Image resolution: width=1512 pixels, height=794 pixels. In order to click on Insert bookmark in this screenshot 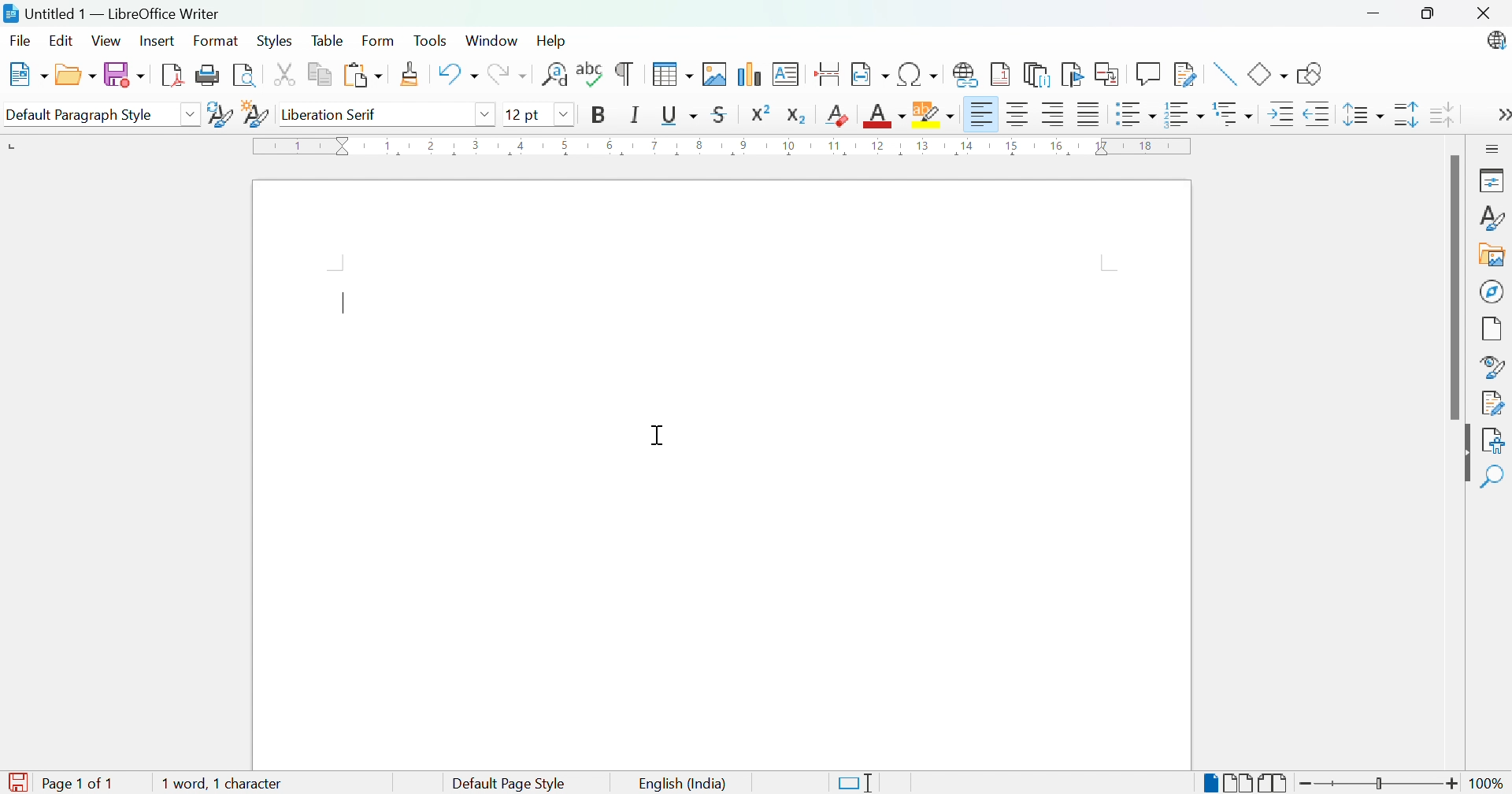, I will do `click(1073, 74)`.